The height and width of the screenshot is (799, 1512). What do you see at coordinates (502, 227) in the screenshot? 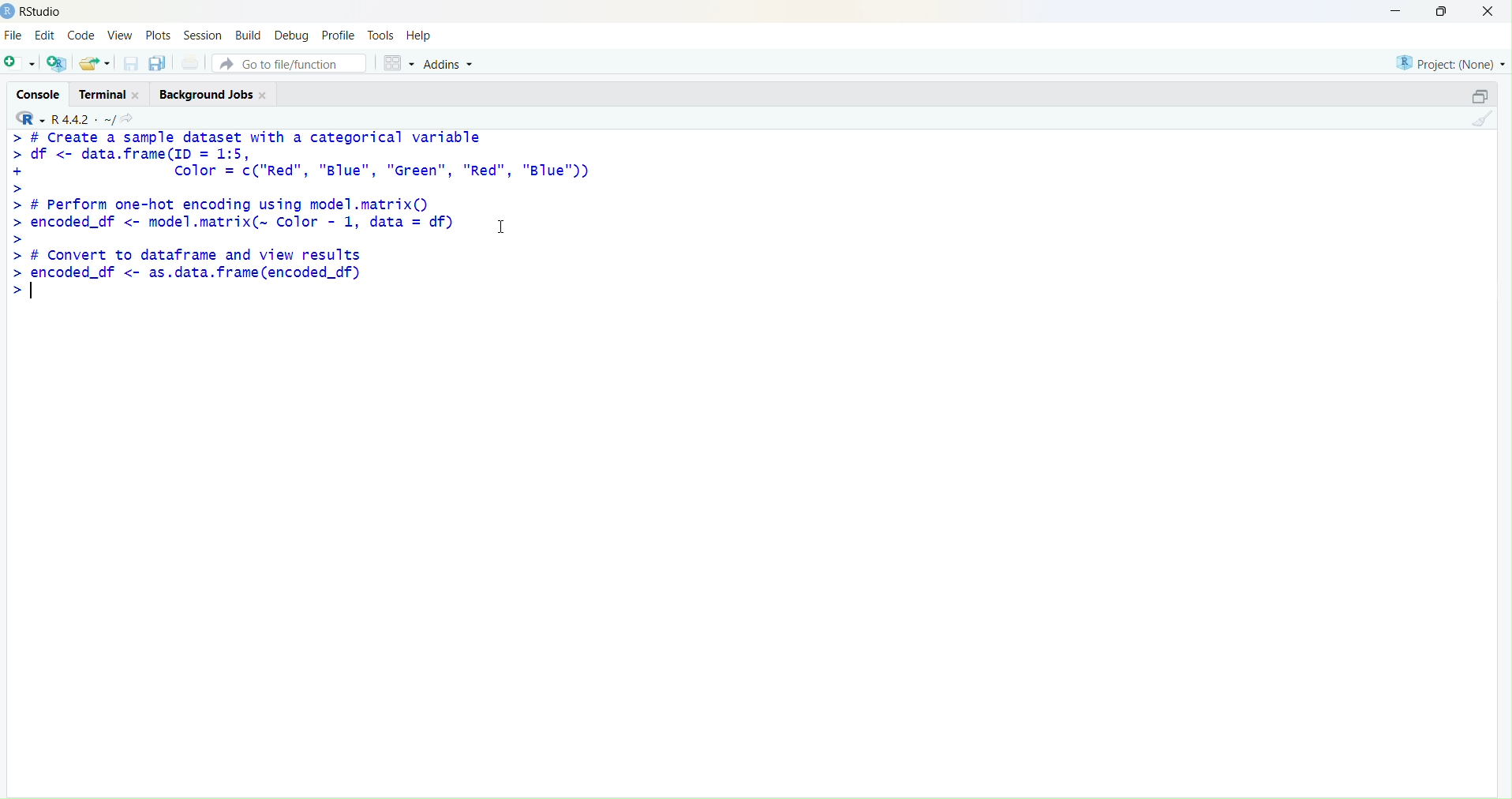
I see `cursor` at bounding box center [502, 227].